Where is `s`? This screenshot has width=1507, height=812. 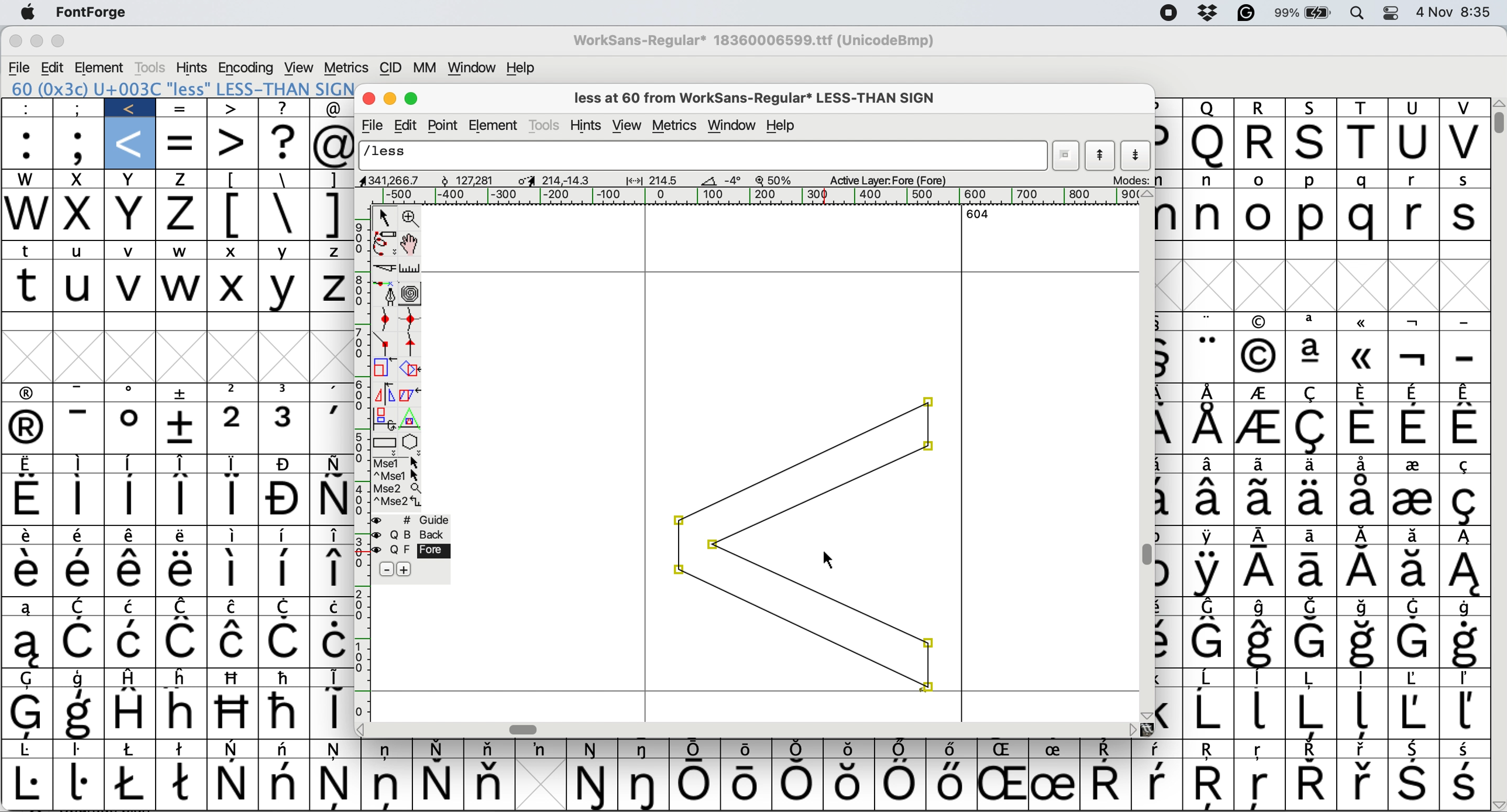 s is located at coordinates (1462, 216).